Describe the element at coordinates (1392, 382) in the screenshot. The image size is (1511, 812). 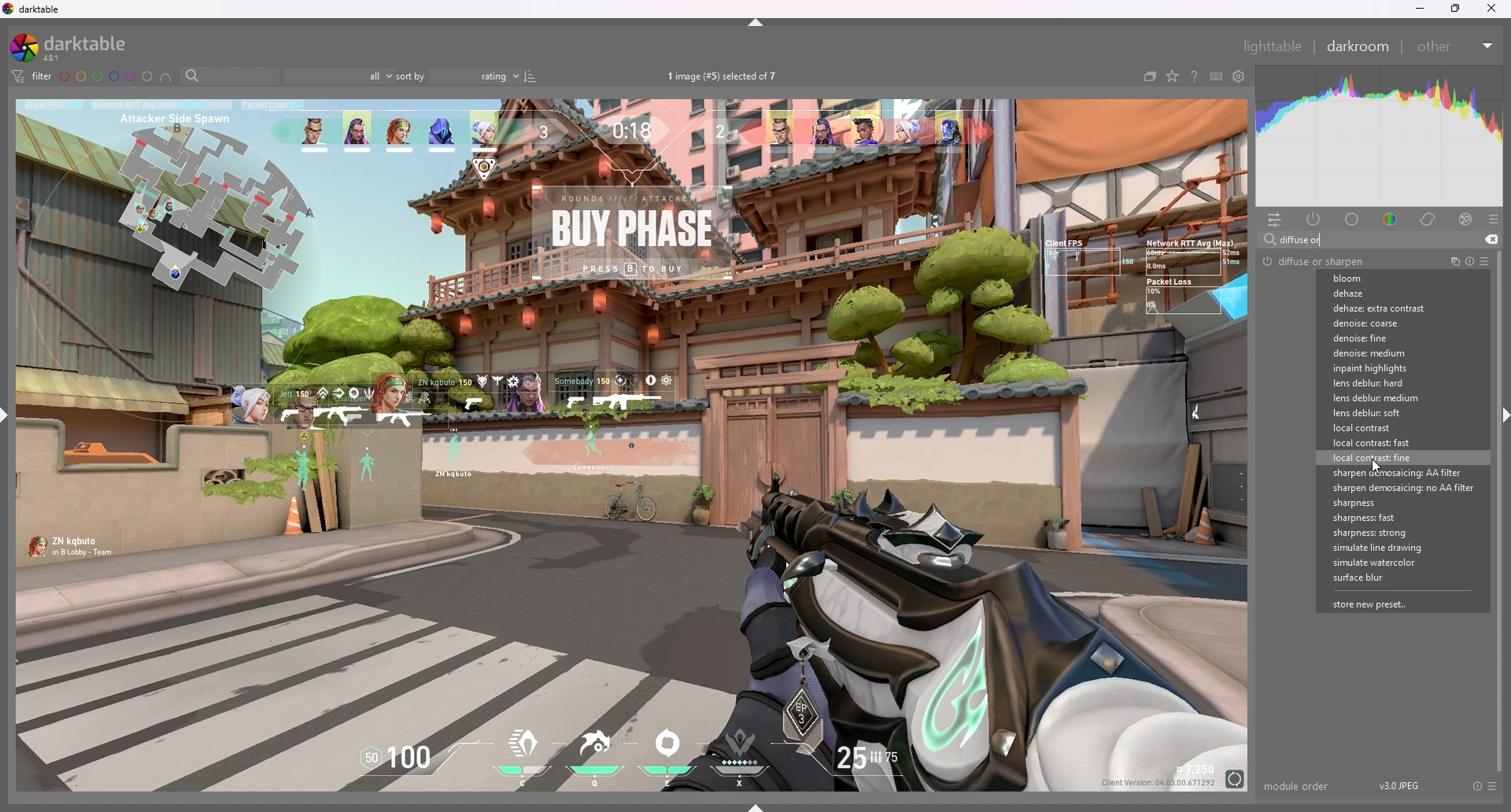
I see `lens deblur hard` at that location.